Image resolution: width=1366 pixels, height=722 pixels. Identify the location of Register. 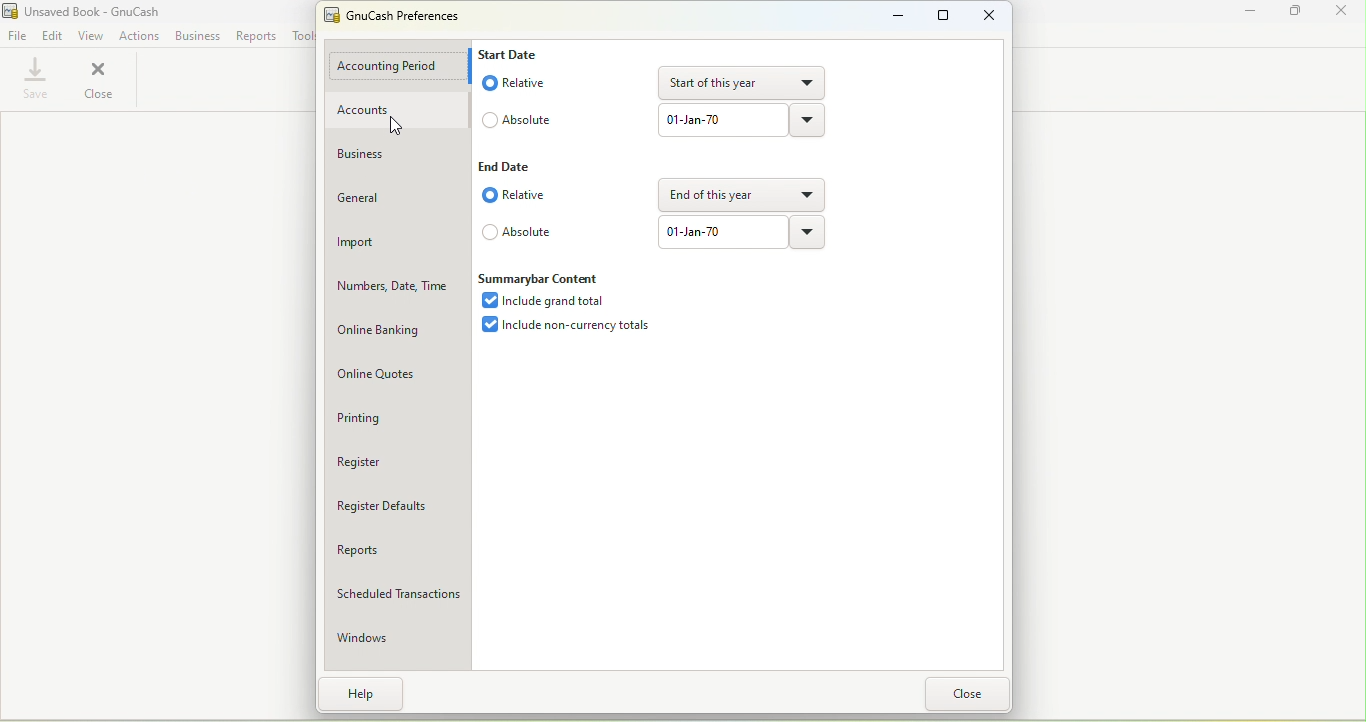
(401, 463).